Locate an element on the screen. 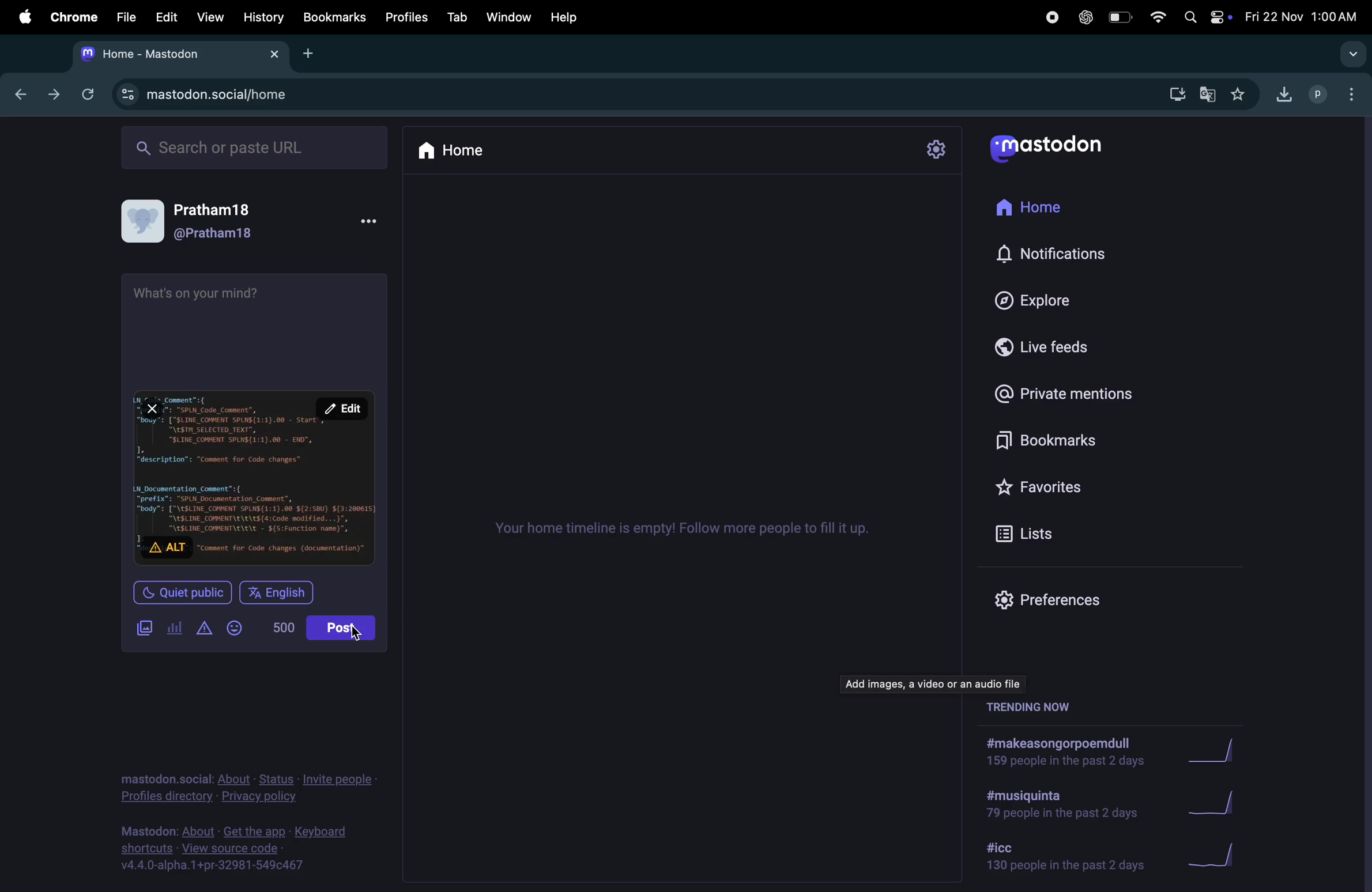  hashtag icc is located at coordinates (1057, 857).